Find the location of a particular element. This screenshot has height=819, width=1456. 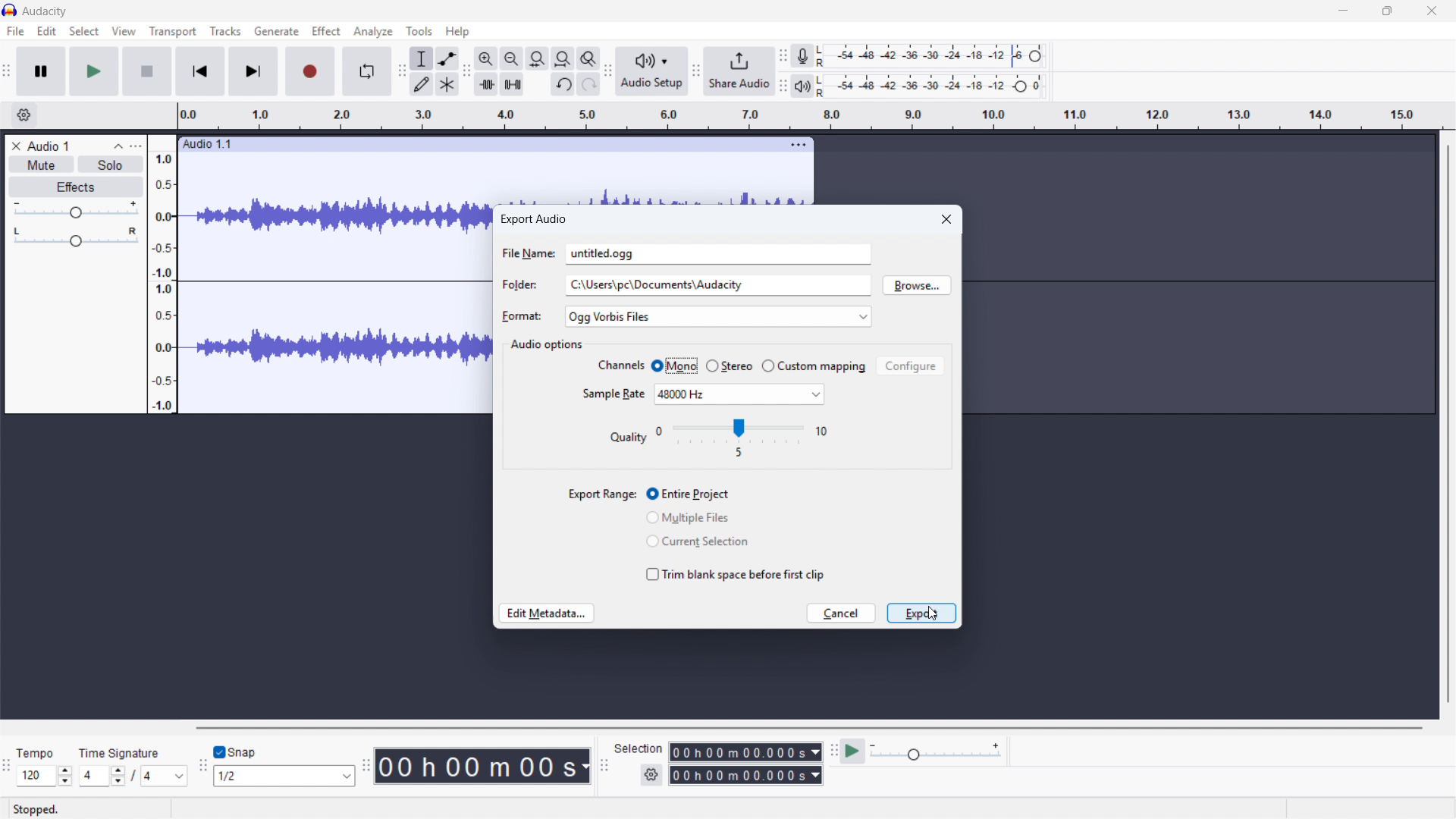

Audacity time toolbar  is located at coordinates (366, 765).